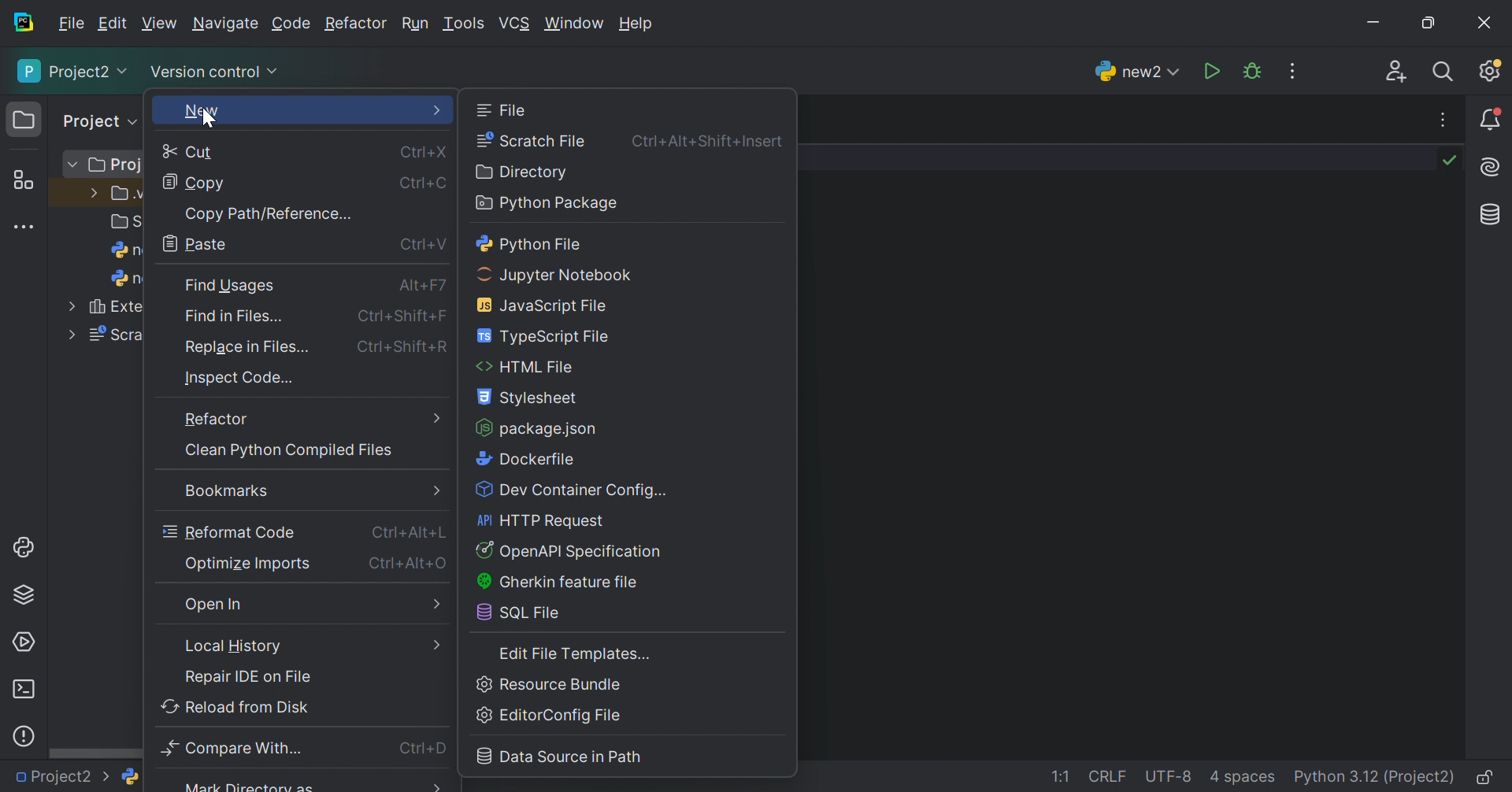 This screenshot has height=792, width=1512. I want to click on Minimize, so click(1377, 23).